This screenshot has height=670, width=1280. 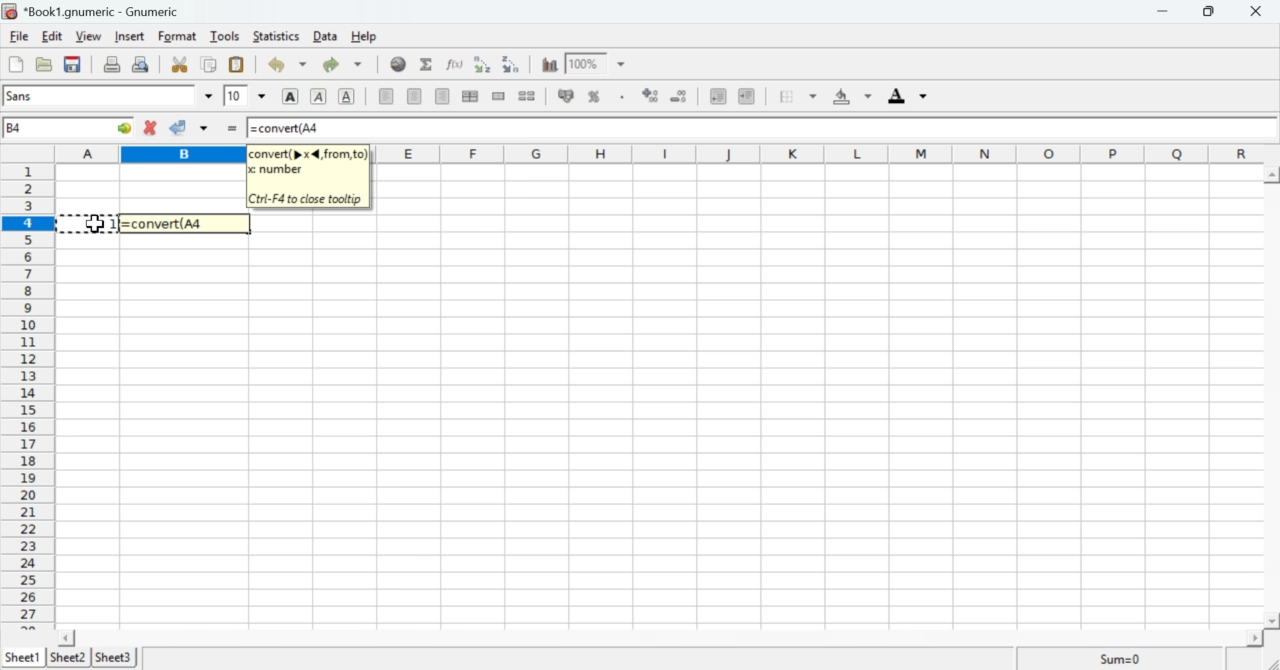 What do you see at coordinates (15, 65) in the screenshot?
I see `Create a new workbook` at bounding box center [15, 65].